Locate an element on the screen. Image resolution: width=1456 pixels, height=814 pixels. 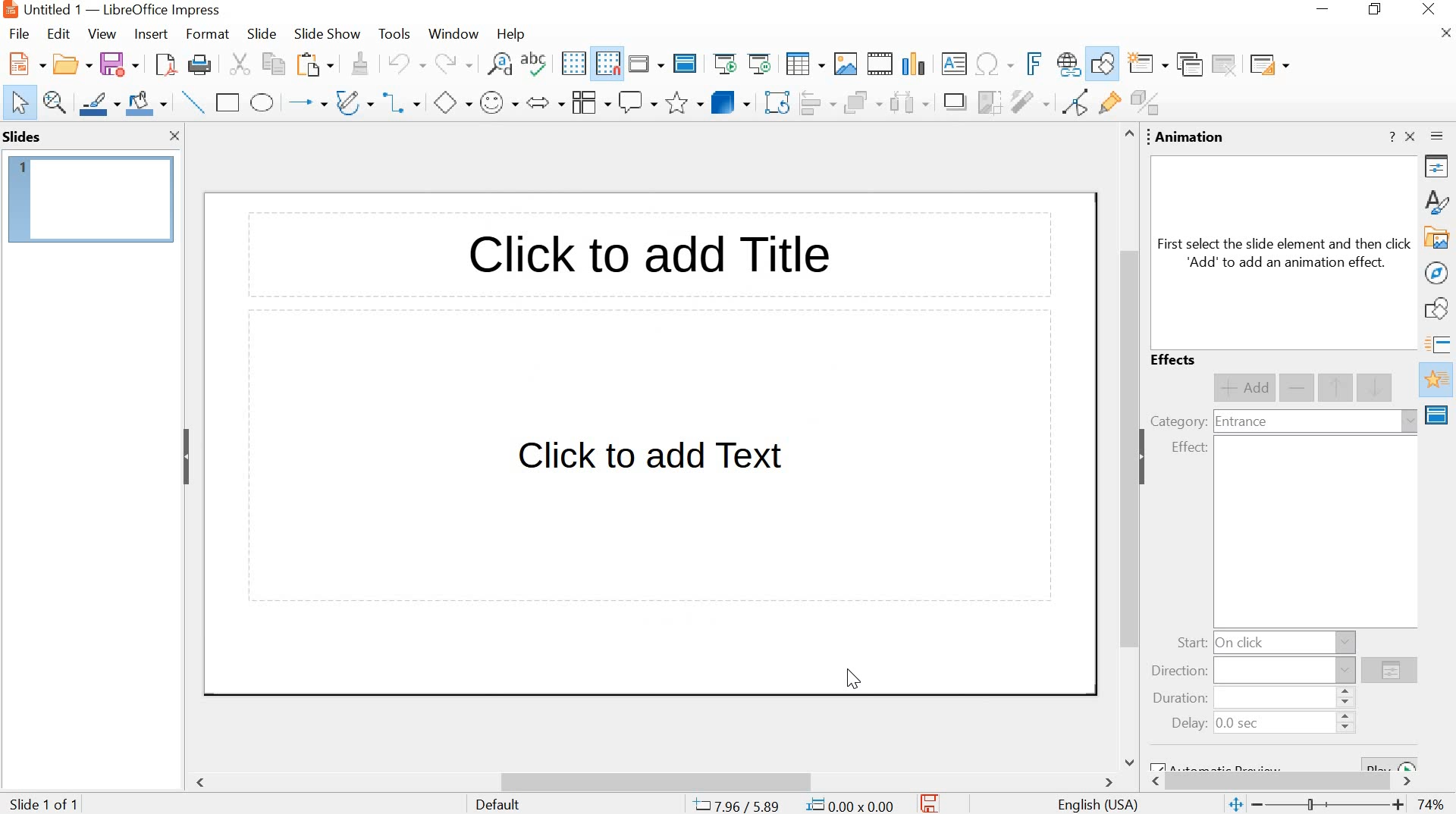
tools menu is located at coordinates (394, 35).